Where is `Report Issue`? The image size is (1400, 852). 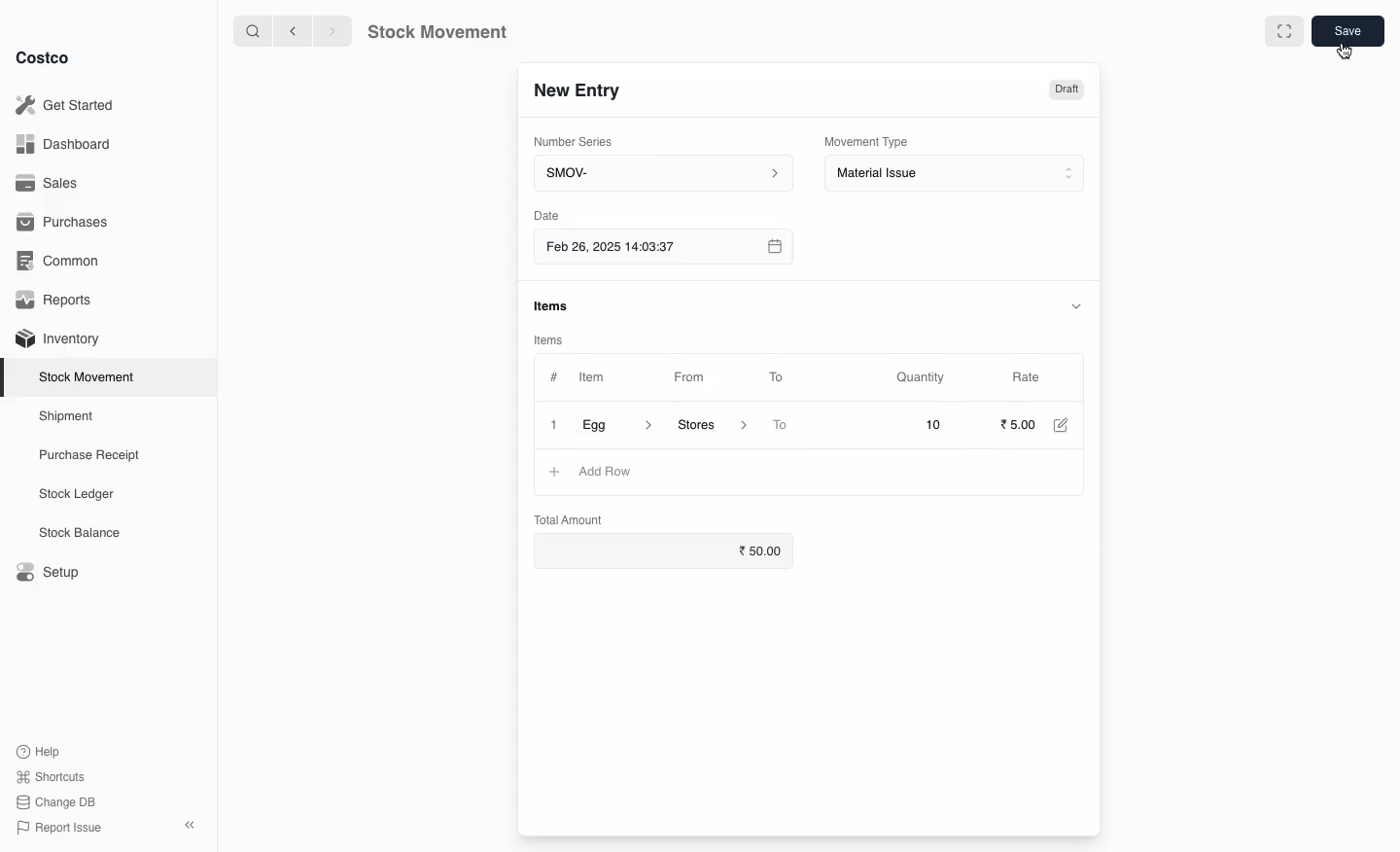
Report Issue is located at coordinates (61, 828).